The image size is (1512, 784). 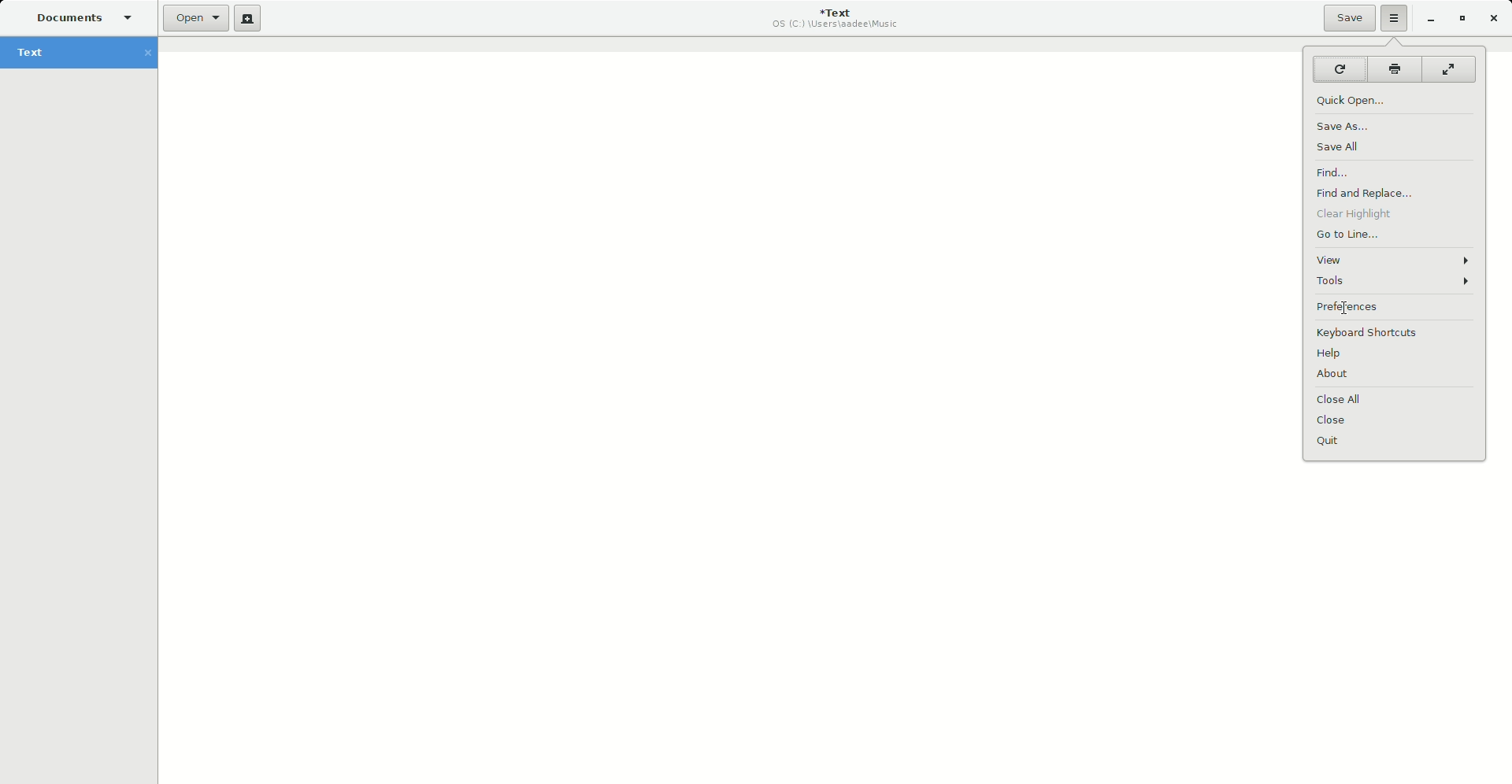 What do you see at coordinates (1343, 172) in the screenshot?
I see `Find` at bounding box center [1343, 172].